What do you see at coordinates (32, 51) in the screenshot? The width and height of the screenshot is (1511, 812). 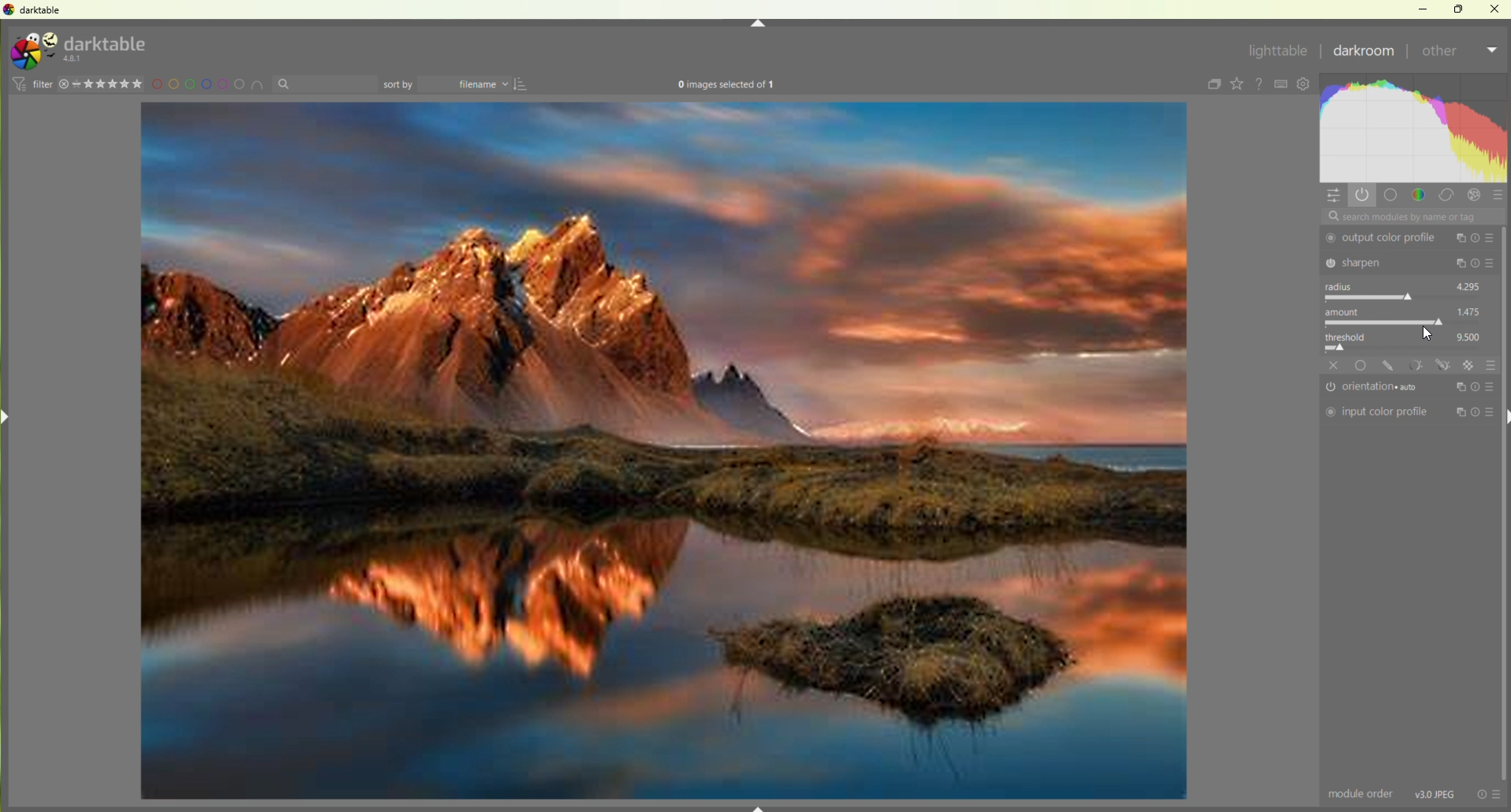 I see `logo` at bounding box center [32, 51].